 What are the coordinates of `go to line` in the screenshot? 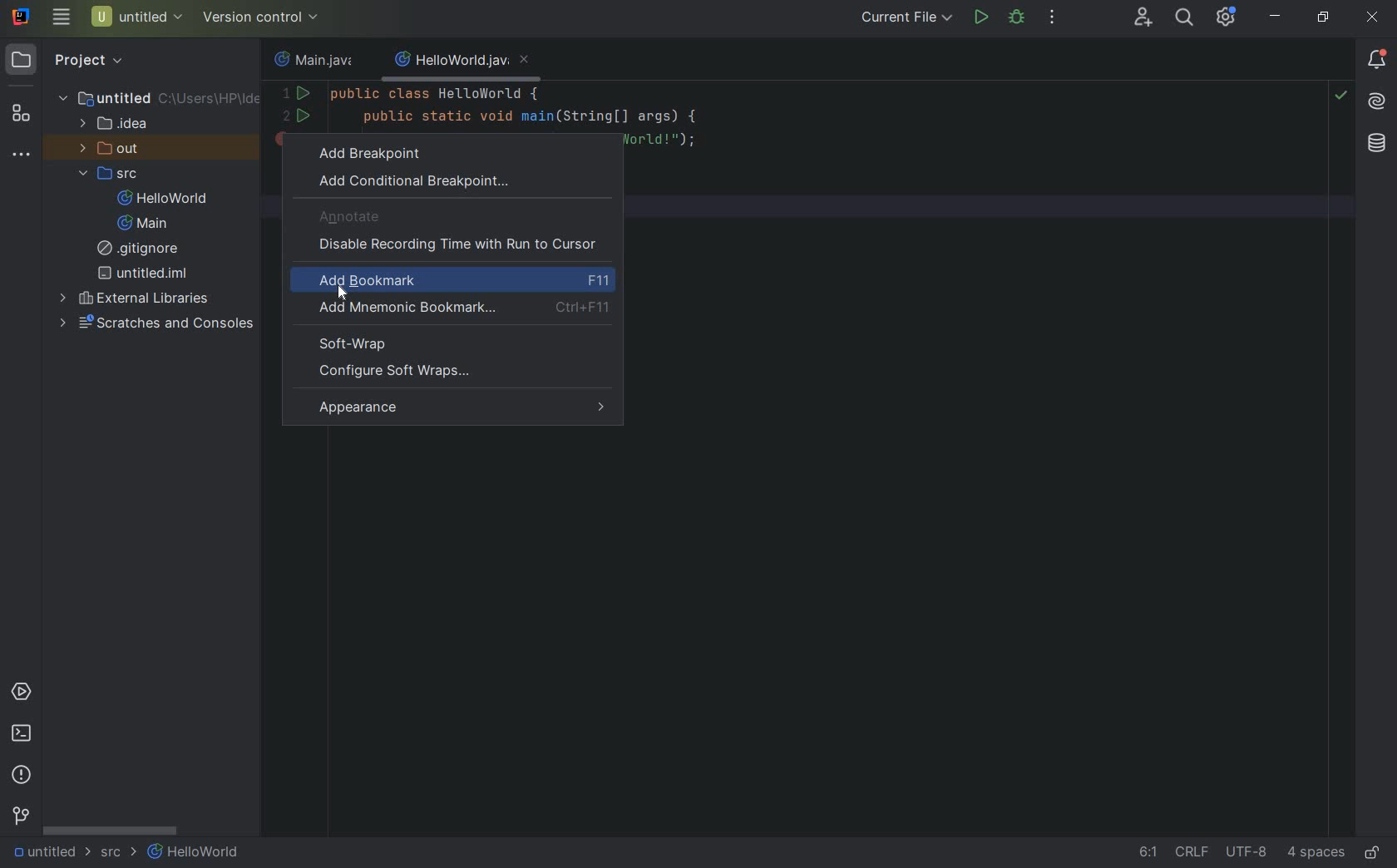 It's located at (1143, 855).